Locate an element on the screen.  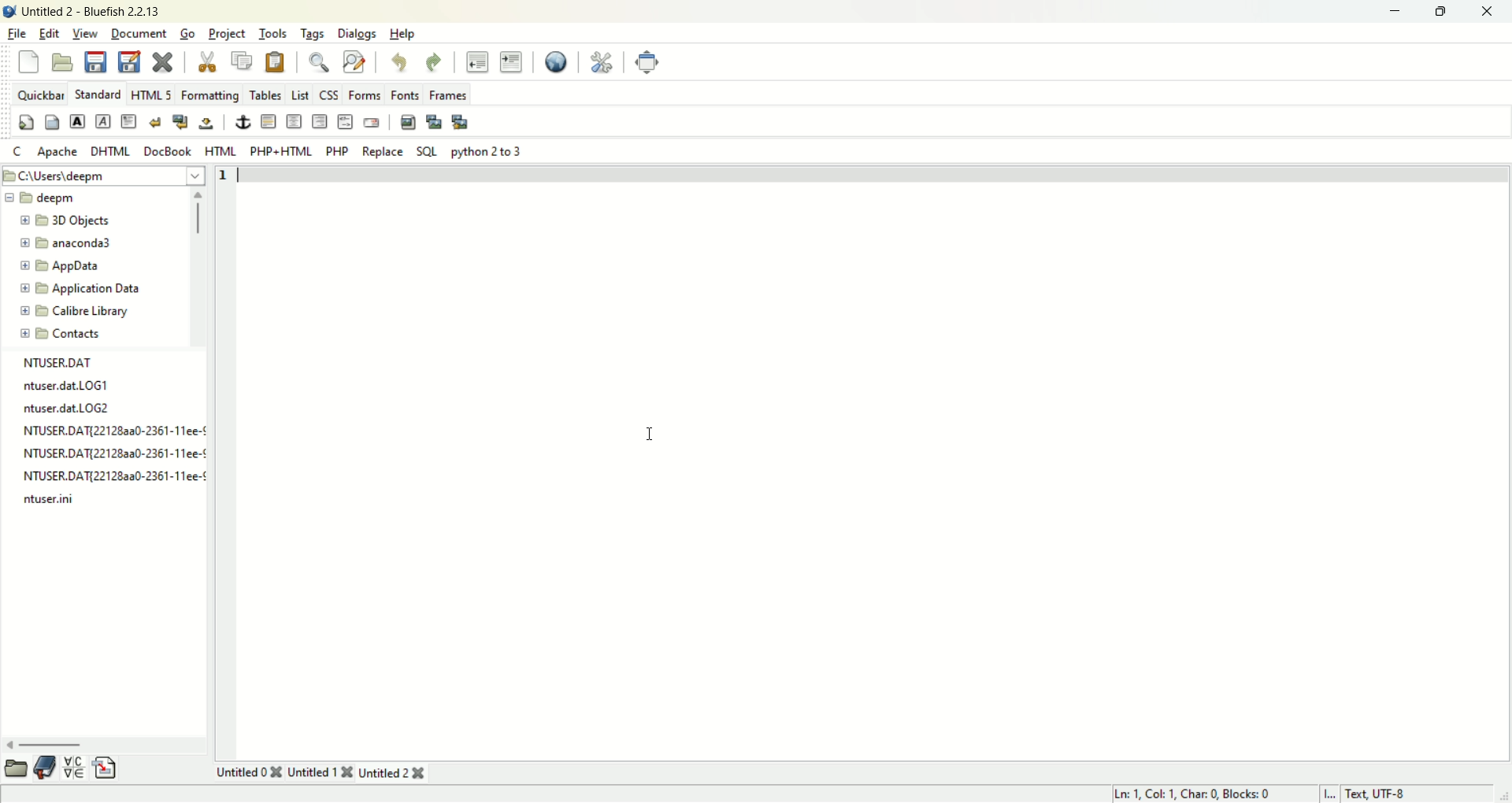
copy is located at coordinates (241, 61).